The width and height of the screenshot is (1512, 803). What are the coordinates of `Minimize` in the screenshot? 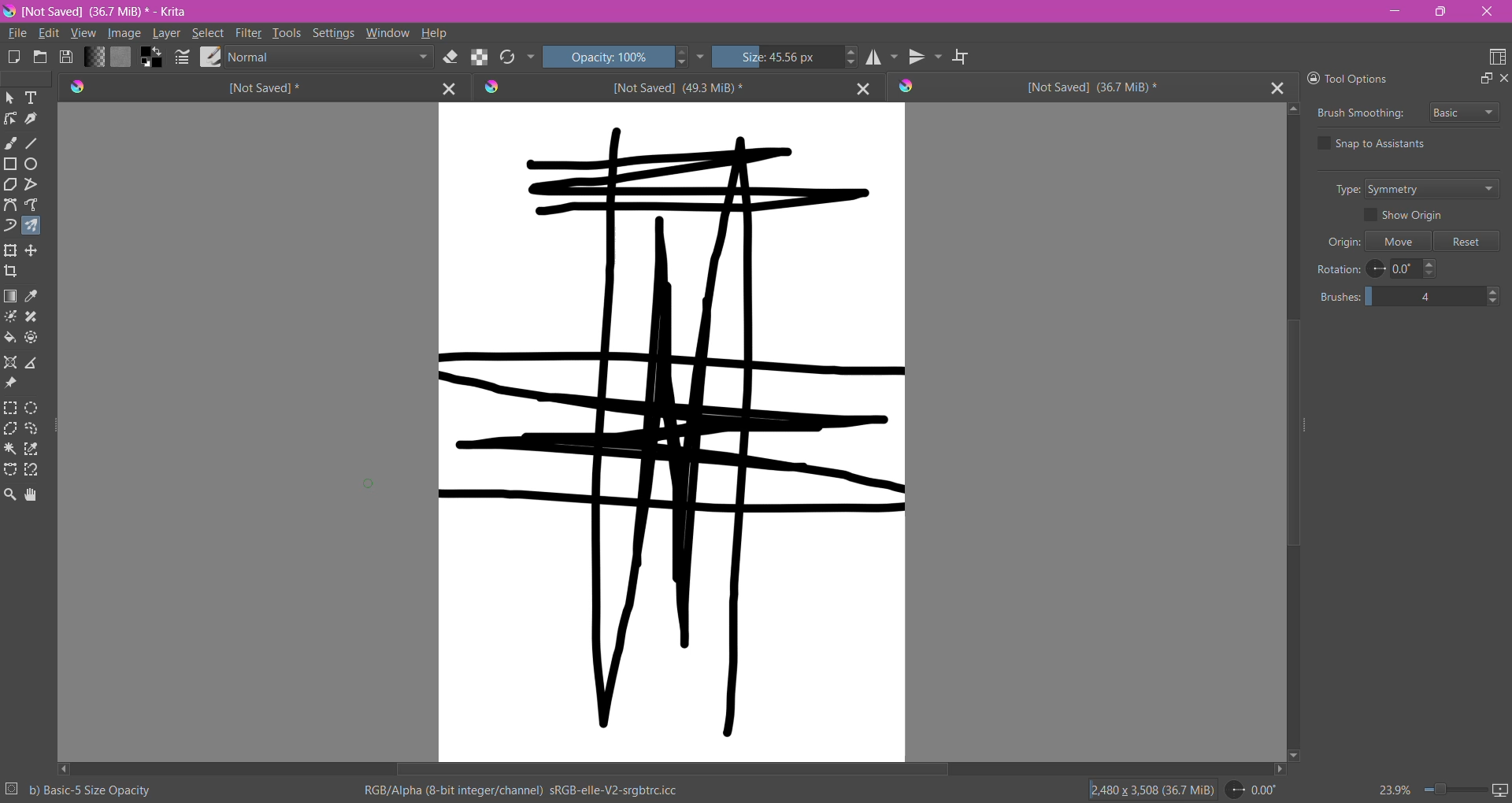 It's located at (1394, 10).